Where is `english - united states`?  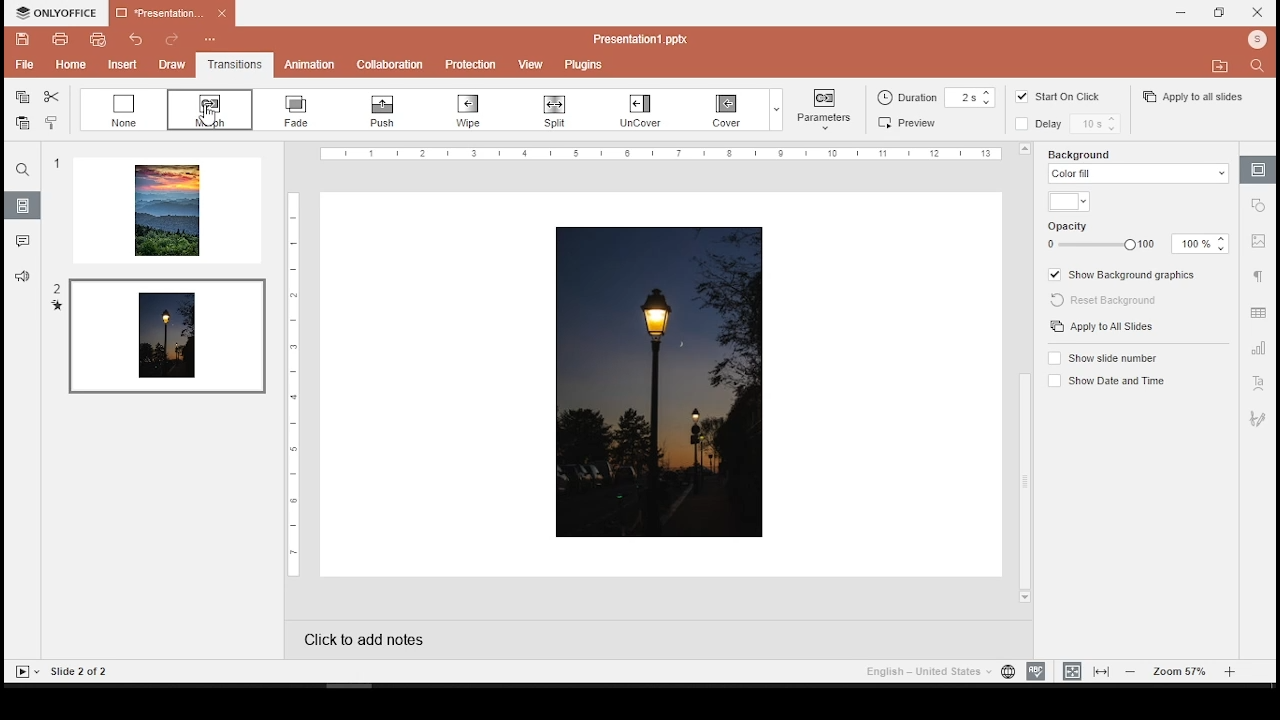
english - united states is located at coordinates (925, 674).